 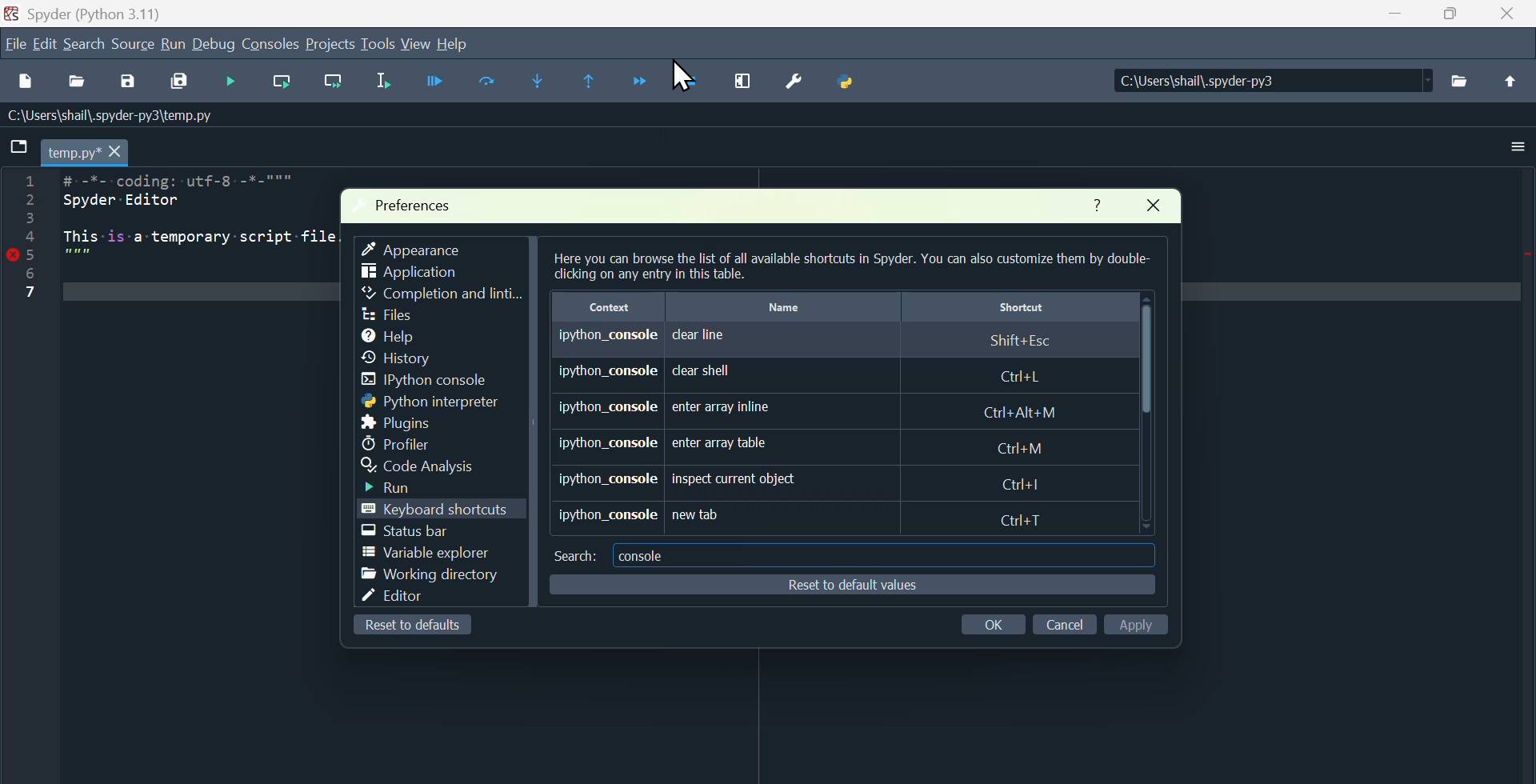 What do you see at coordinates (1462, 88) in the screenshot?
I see `Files` at bounding box center [1462, 88].